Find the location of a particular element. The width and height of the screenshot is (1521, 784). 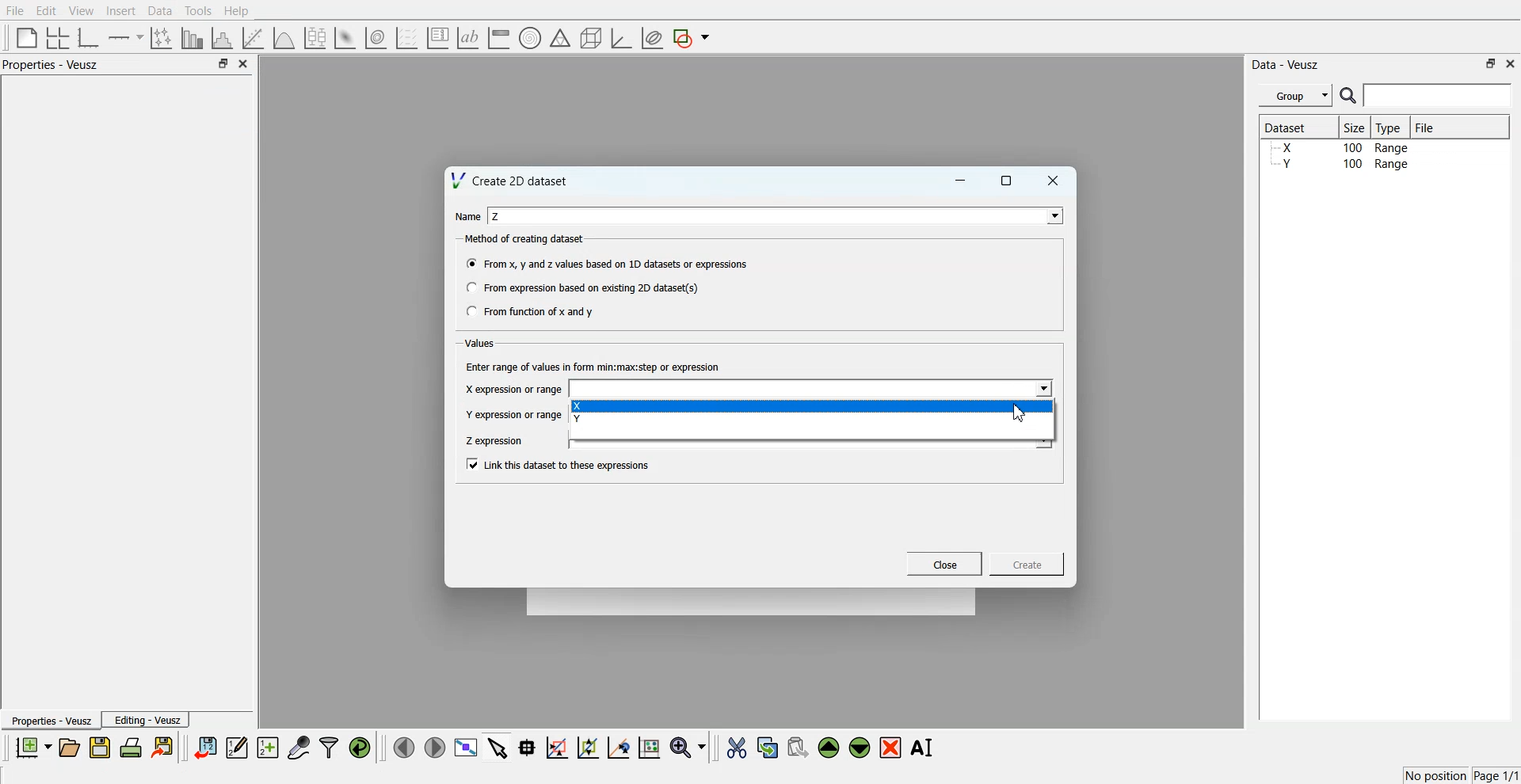

Properties - Veusz is located at coordinates (50, 720).